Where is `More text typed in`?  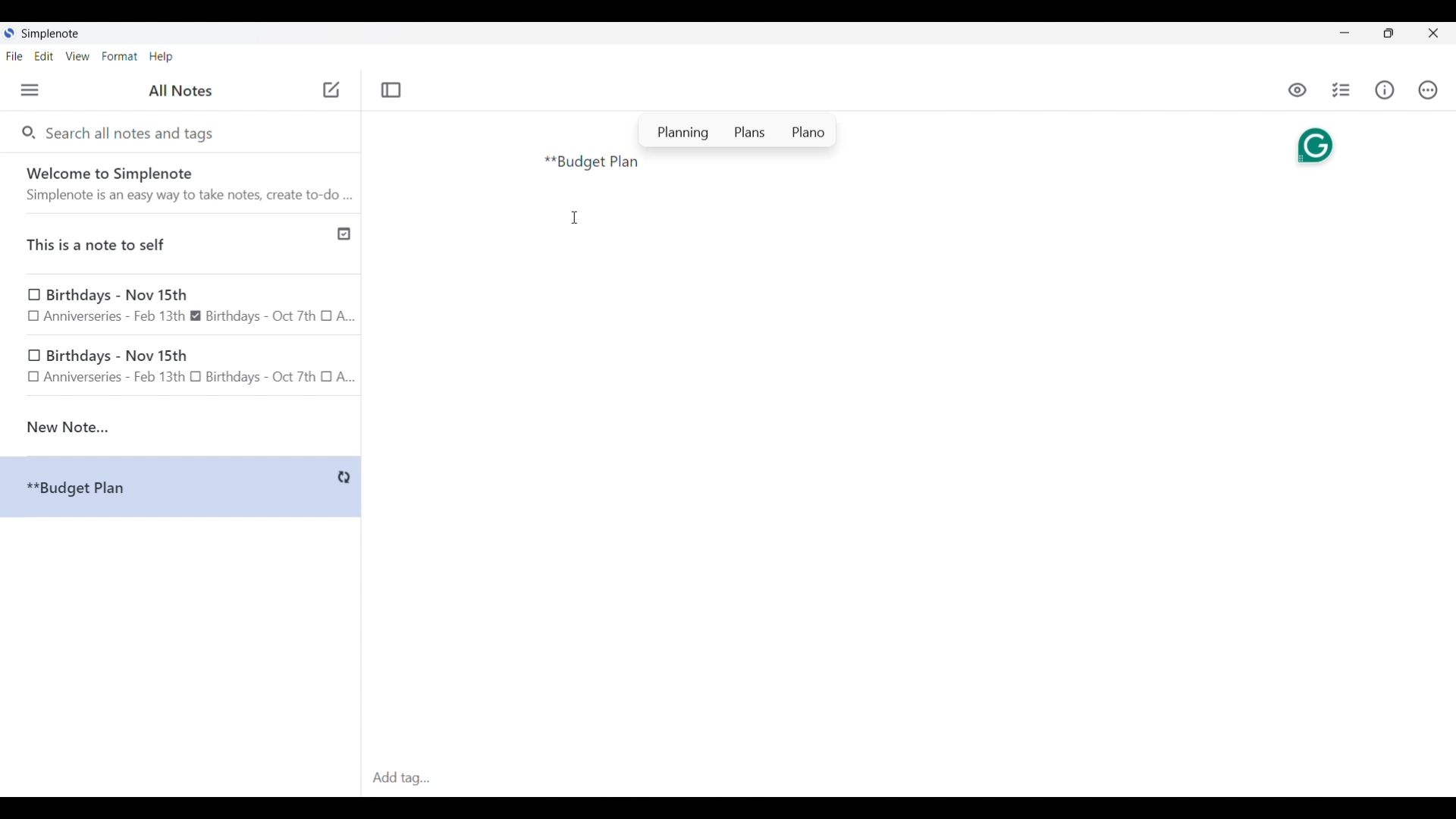
More text typed in is located at coordinates (591, 163).